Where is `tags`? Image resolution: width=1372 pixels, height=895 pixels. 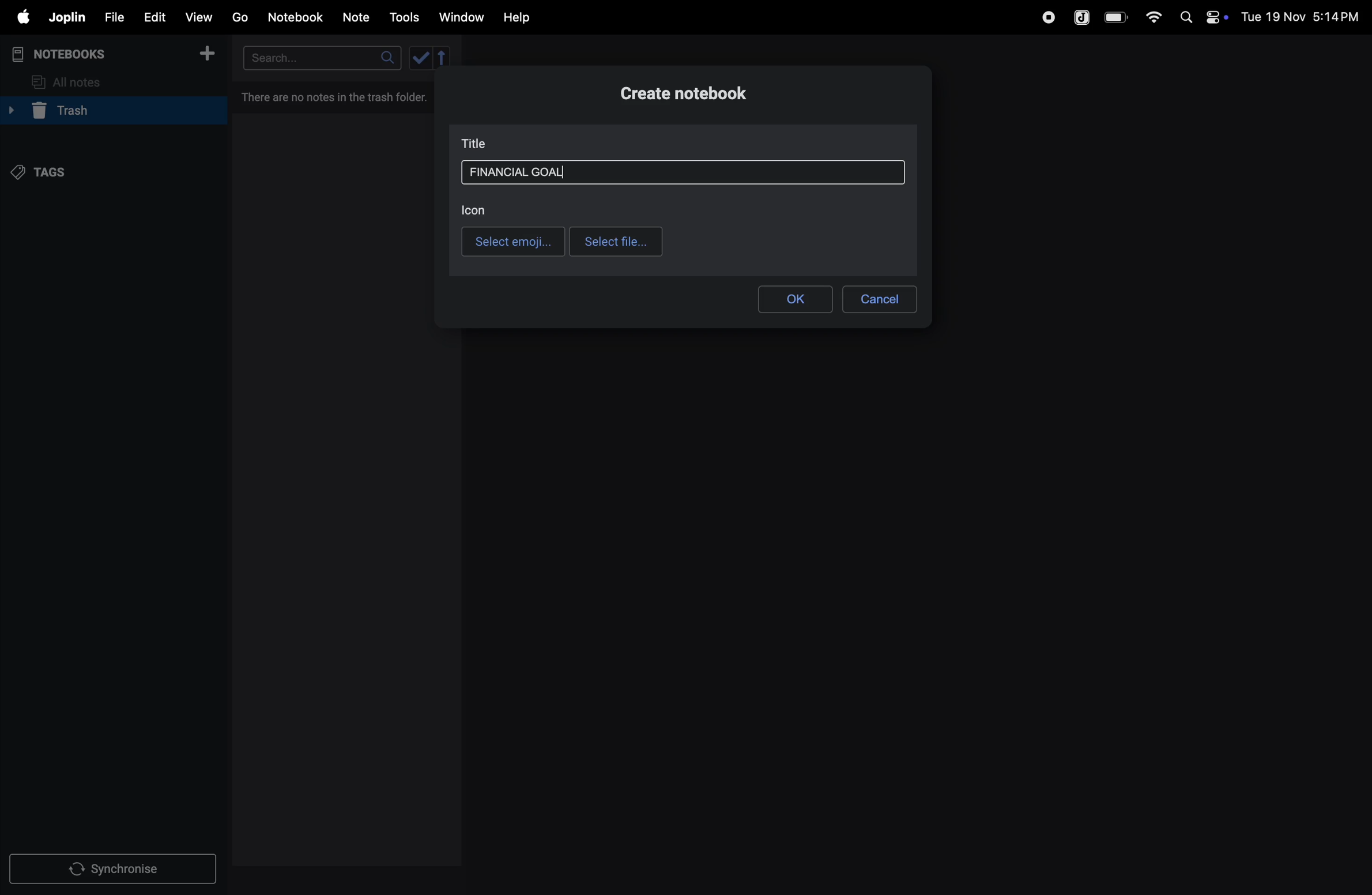
tags is located at coordinates (45, 174).